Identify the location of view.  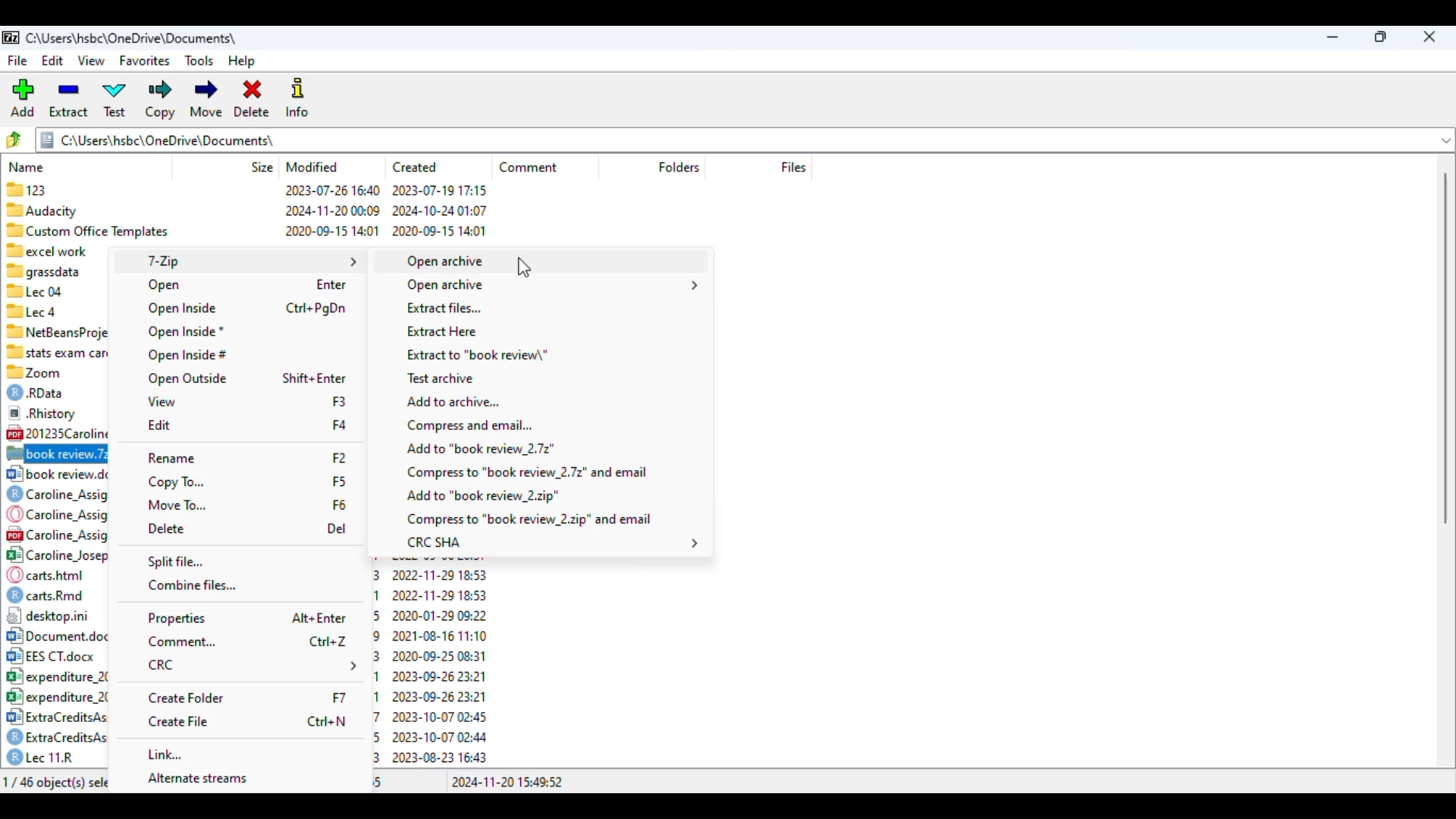
(93, 61).